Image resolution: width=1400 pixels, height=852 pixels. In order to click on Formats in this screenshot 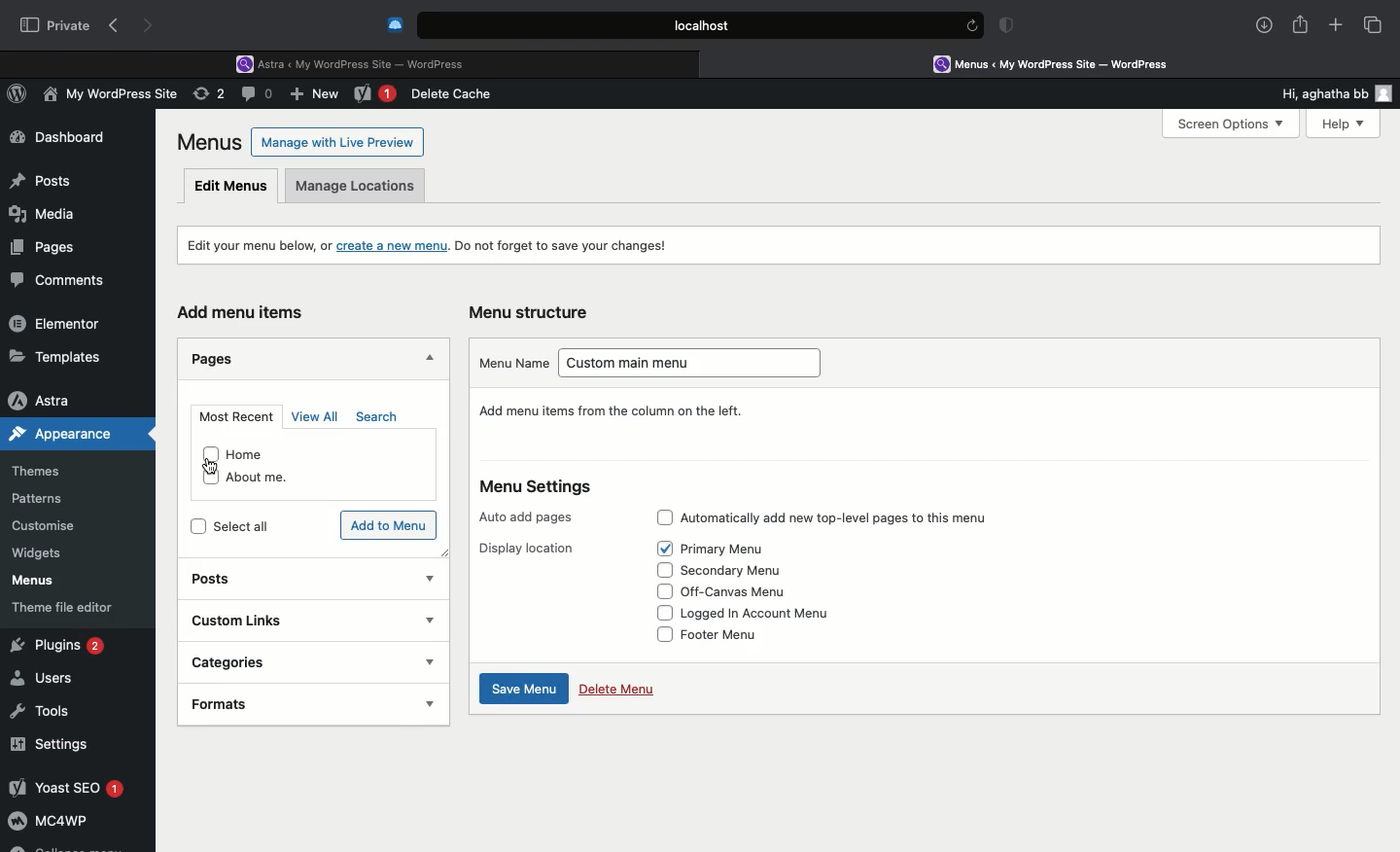, I will do `click(275, 704)`.